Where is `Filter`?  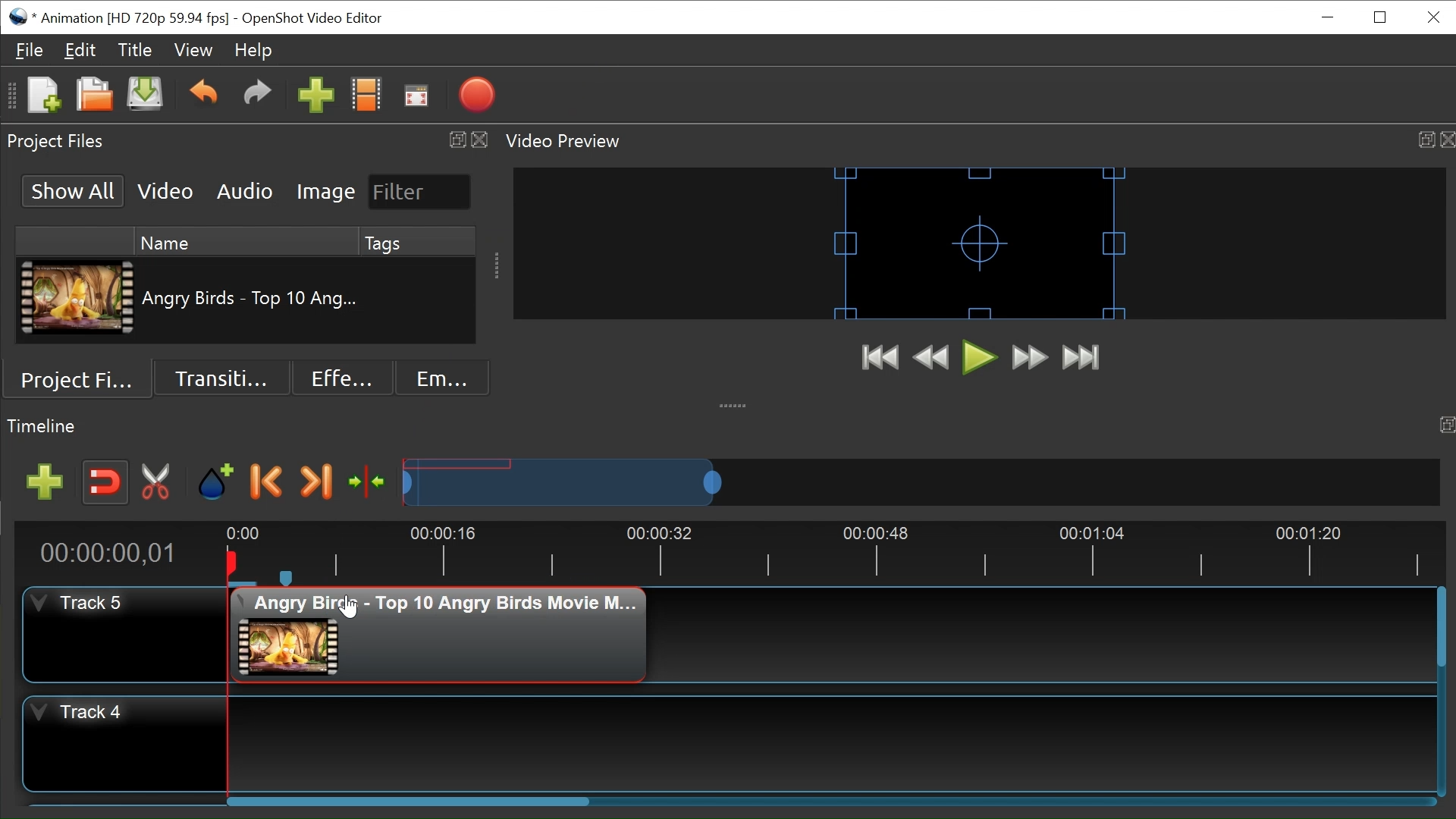 Filter is located at coordinates (420, 192).